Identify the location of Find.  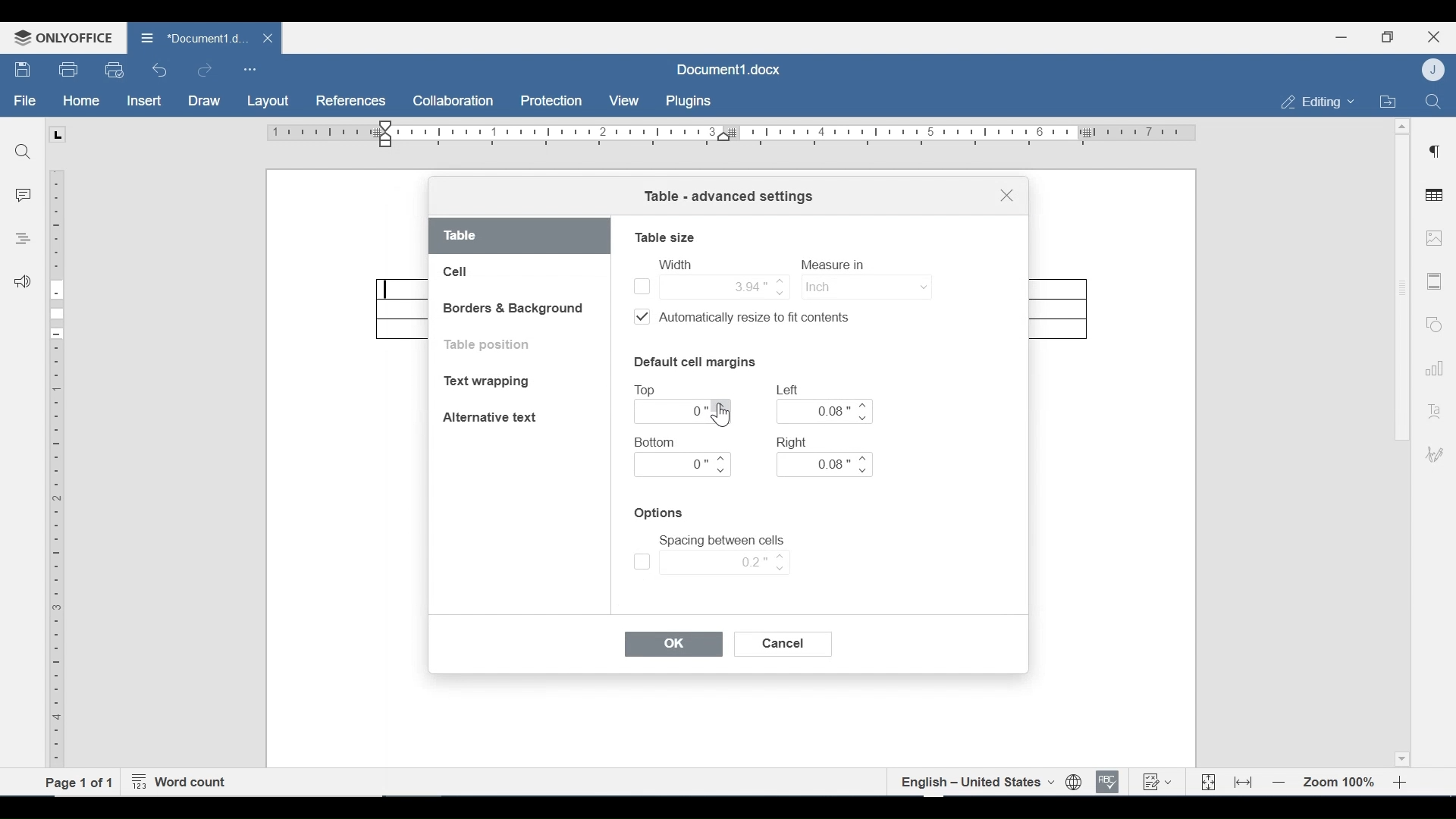
(1432, 100).